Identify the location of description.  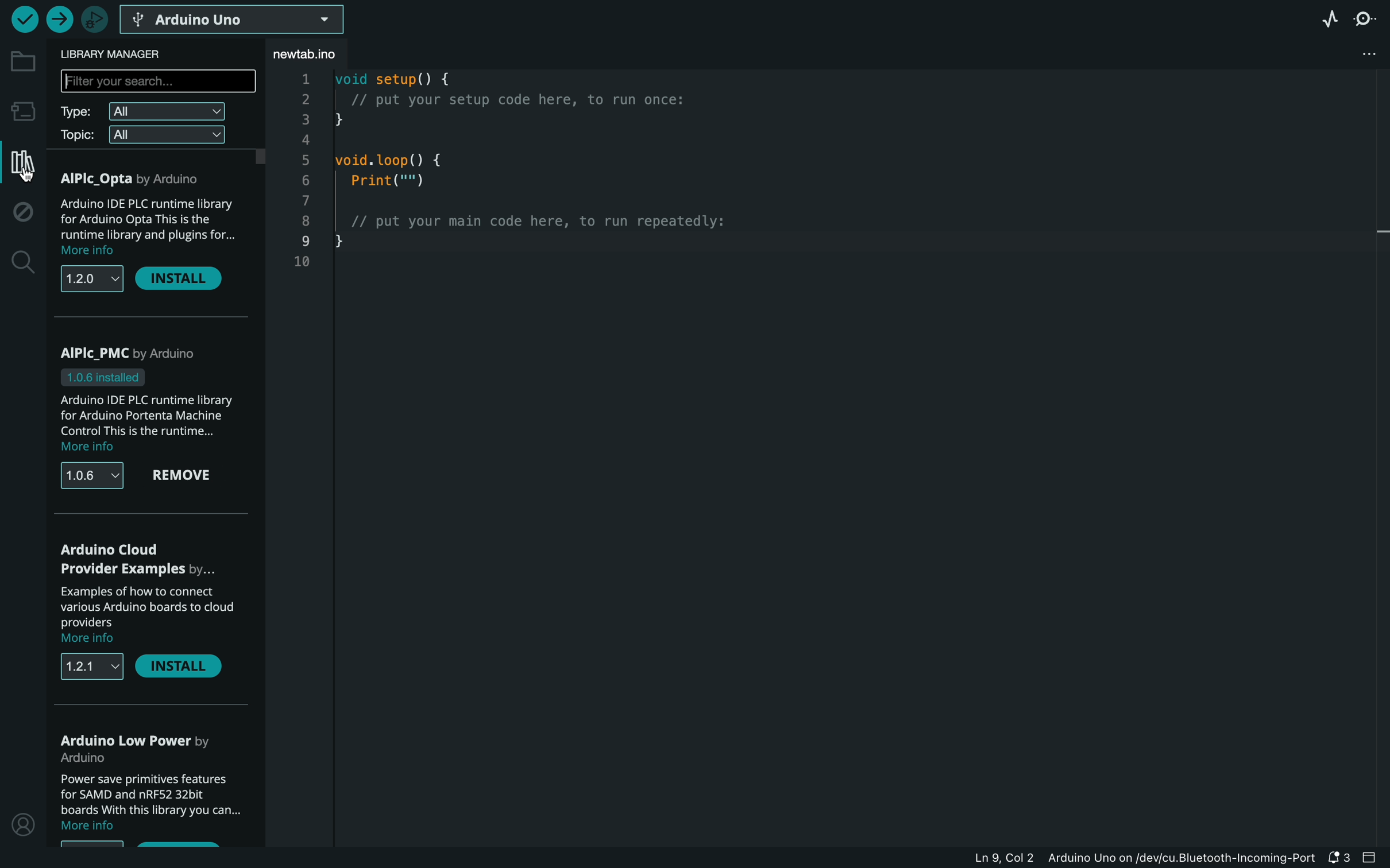
(144, 804).